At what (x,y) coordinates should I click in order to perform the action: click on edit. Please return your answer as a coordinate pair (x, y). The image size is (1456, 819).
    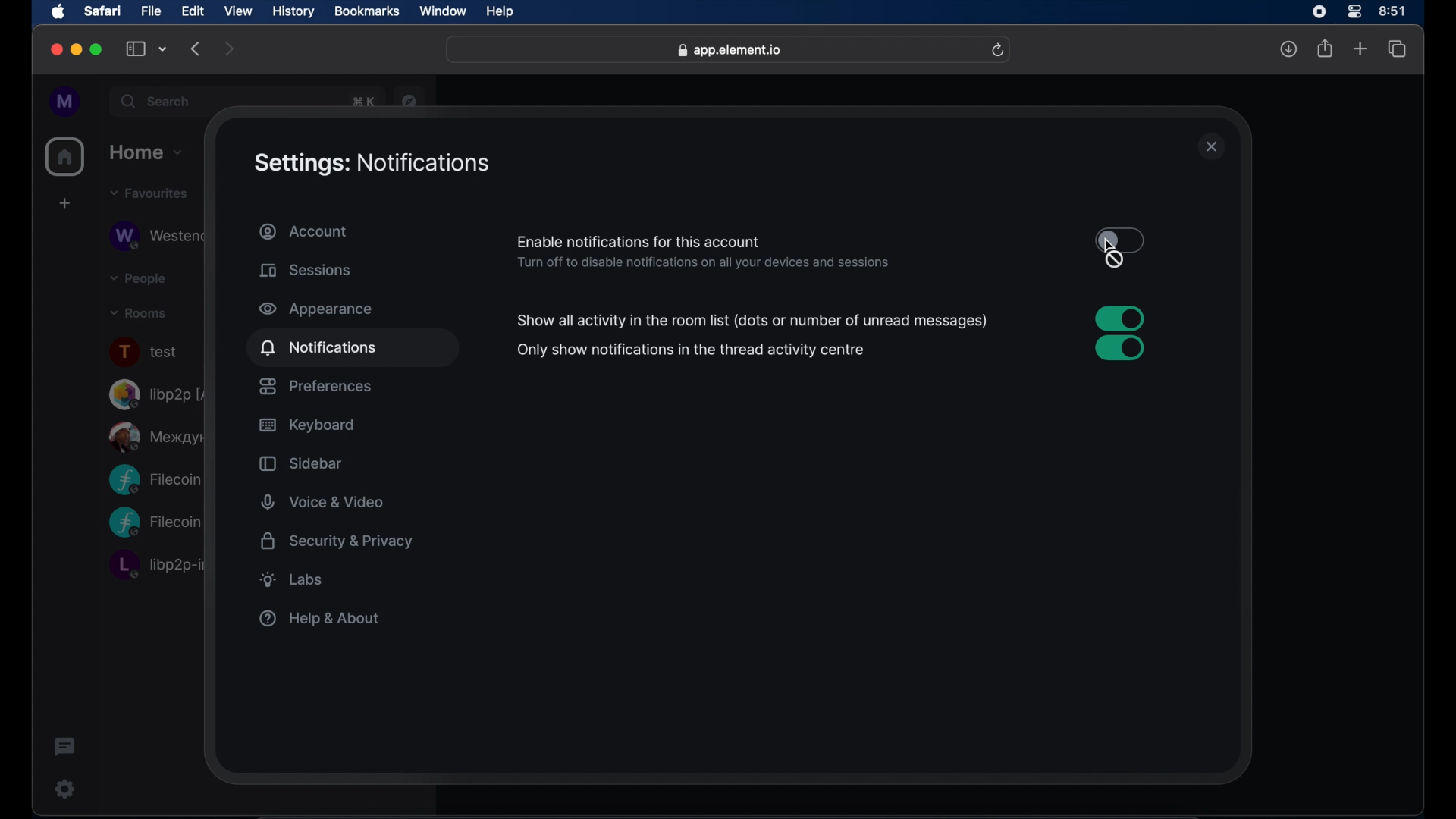
    Looking at the image, I should click on (193, 12).